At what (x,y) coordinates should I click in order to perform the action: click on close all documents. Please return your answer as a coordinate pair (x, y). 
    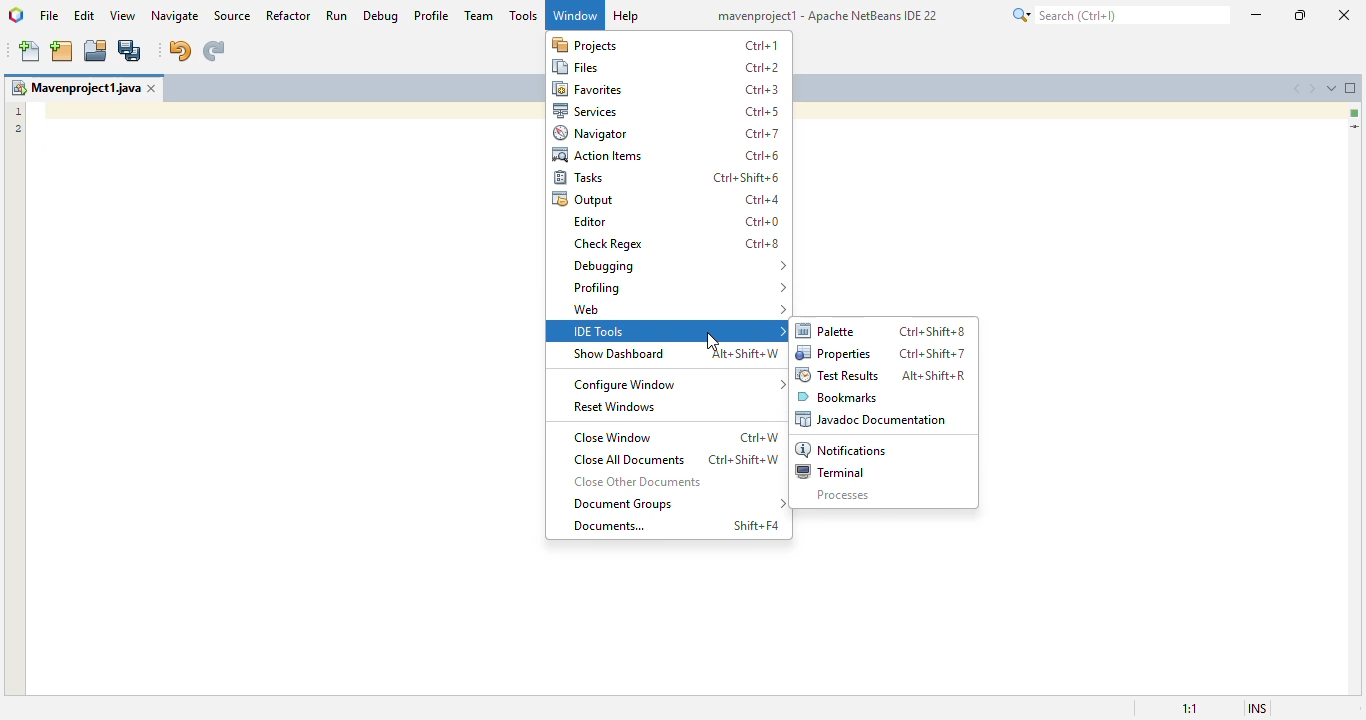
    Looking at the image, I should click on (629, 460).